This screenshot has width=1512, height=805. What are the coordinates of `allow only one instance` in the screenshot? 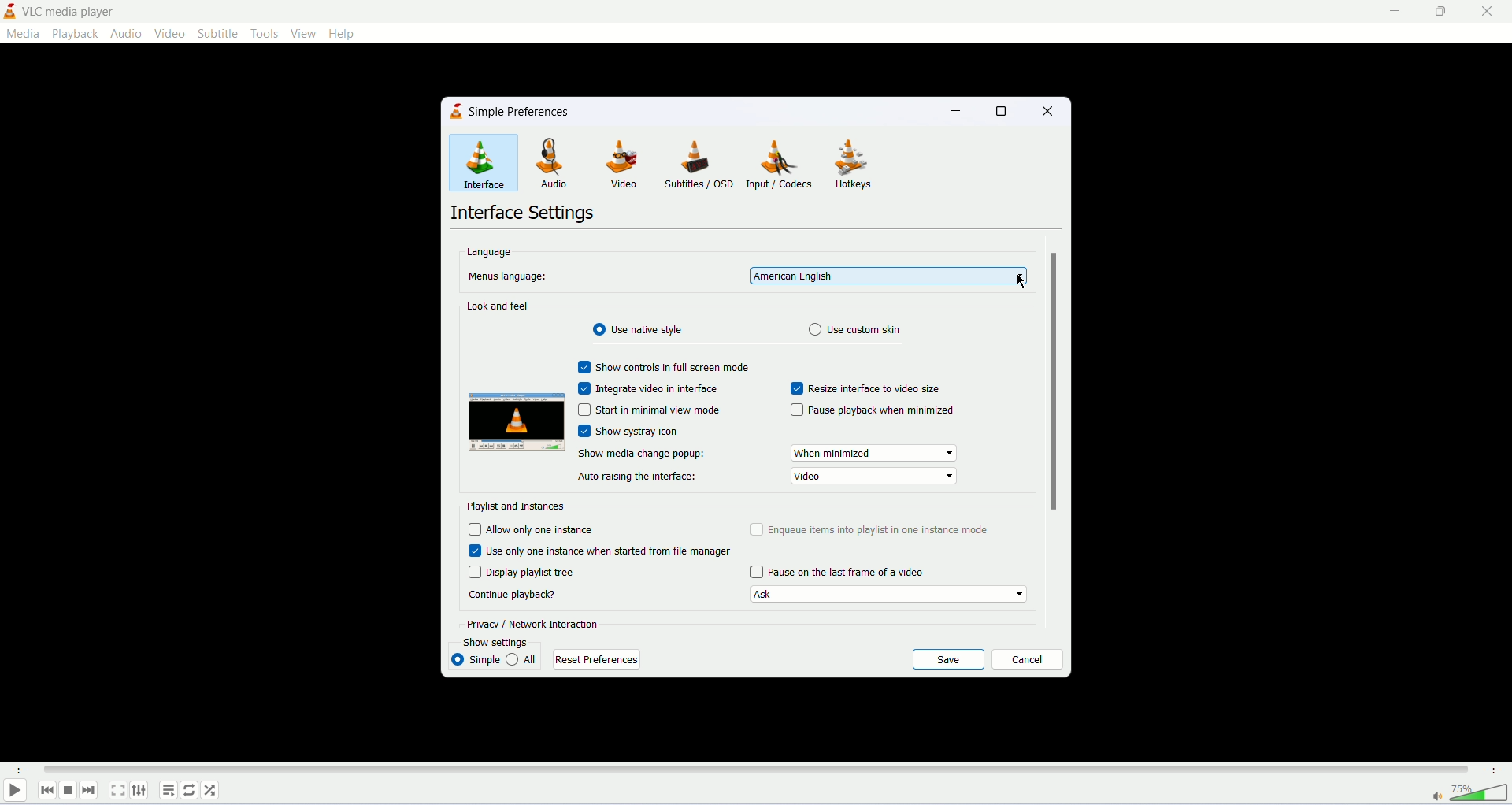 It's located at (532, 530).